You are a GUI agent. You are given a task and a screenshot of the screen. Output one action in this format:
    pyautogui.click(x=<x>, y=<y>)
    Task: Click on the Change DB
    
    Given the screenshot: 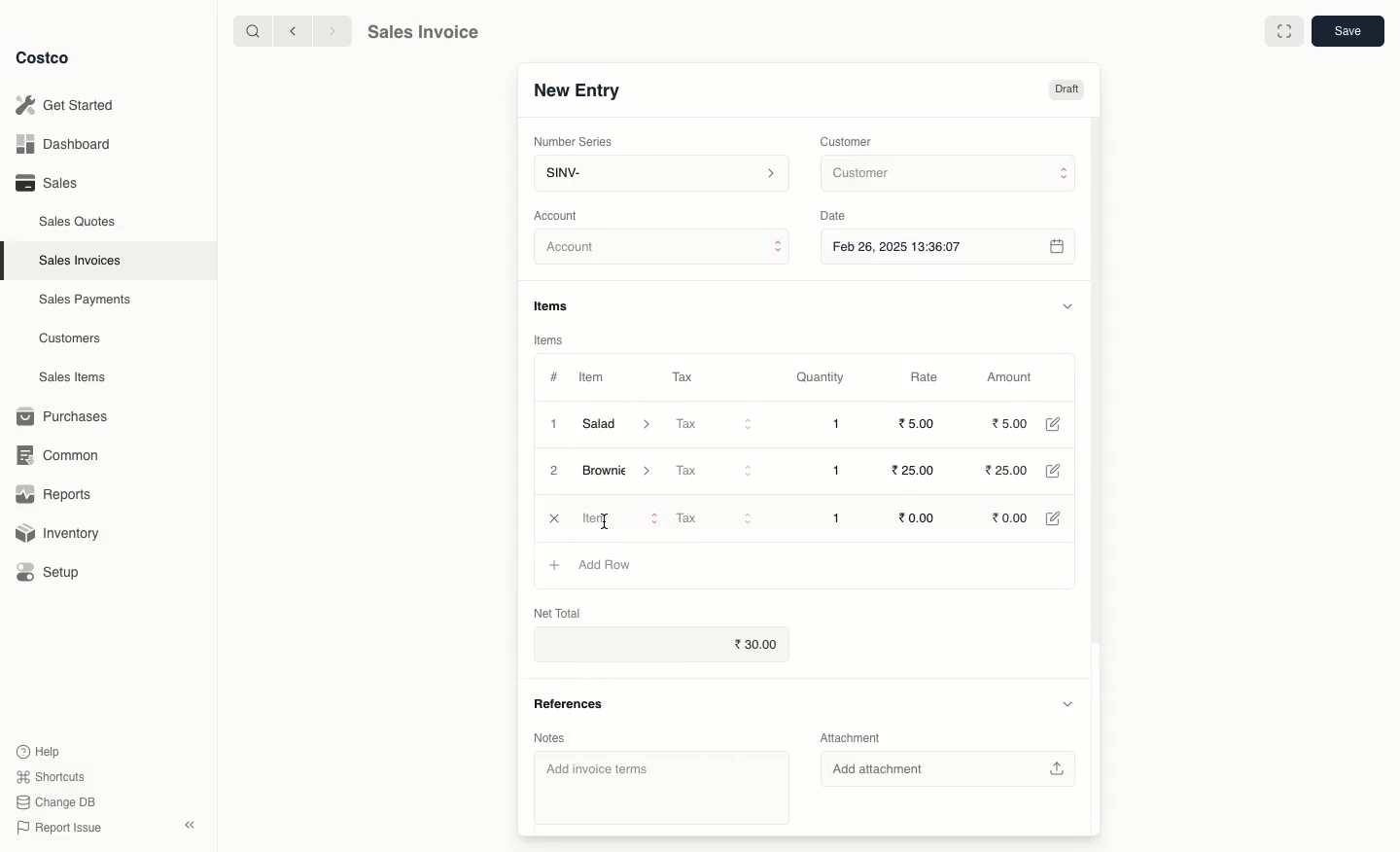 What is the action you would take?
    pyautogui.click(x=52, y=800)
    